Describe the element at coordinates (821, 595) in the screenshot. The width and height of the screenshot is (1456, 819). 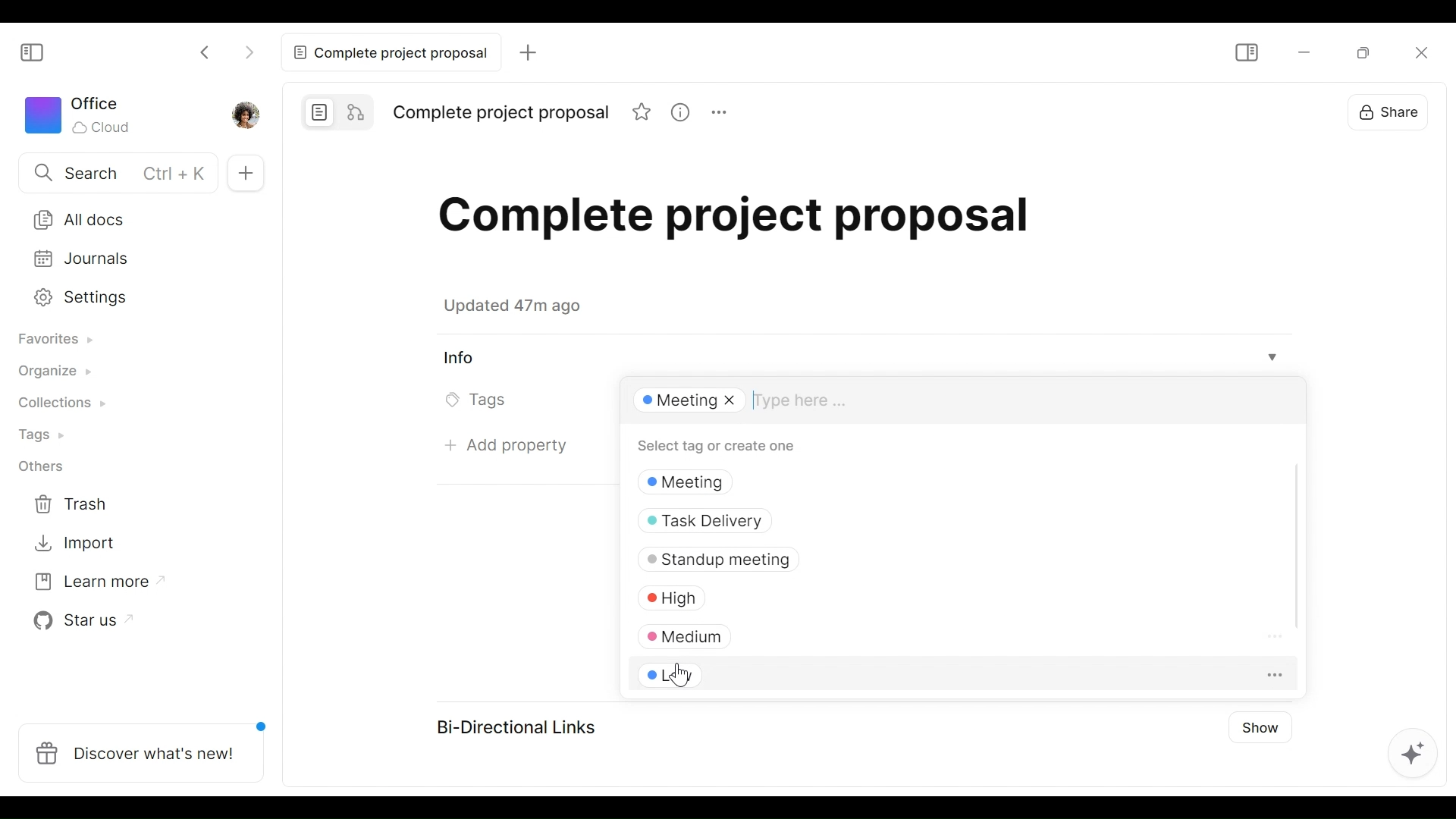
I see `High` at that location.